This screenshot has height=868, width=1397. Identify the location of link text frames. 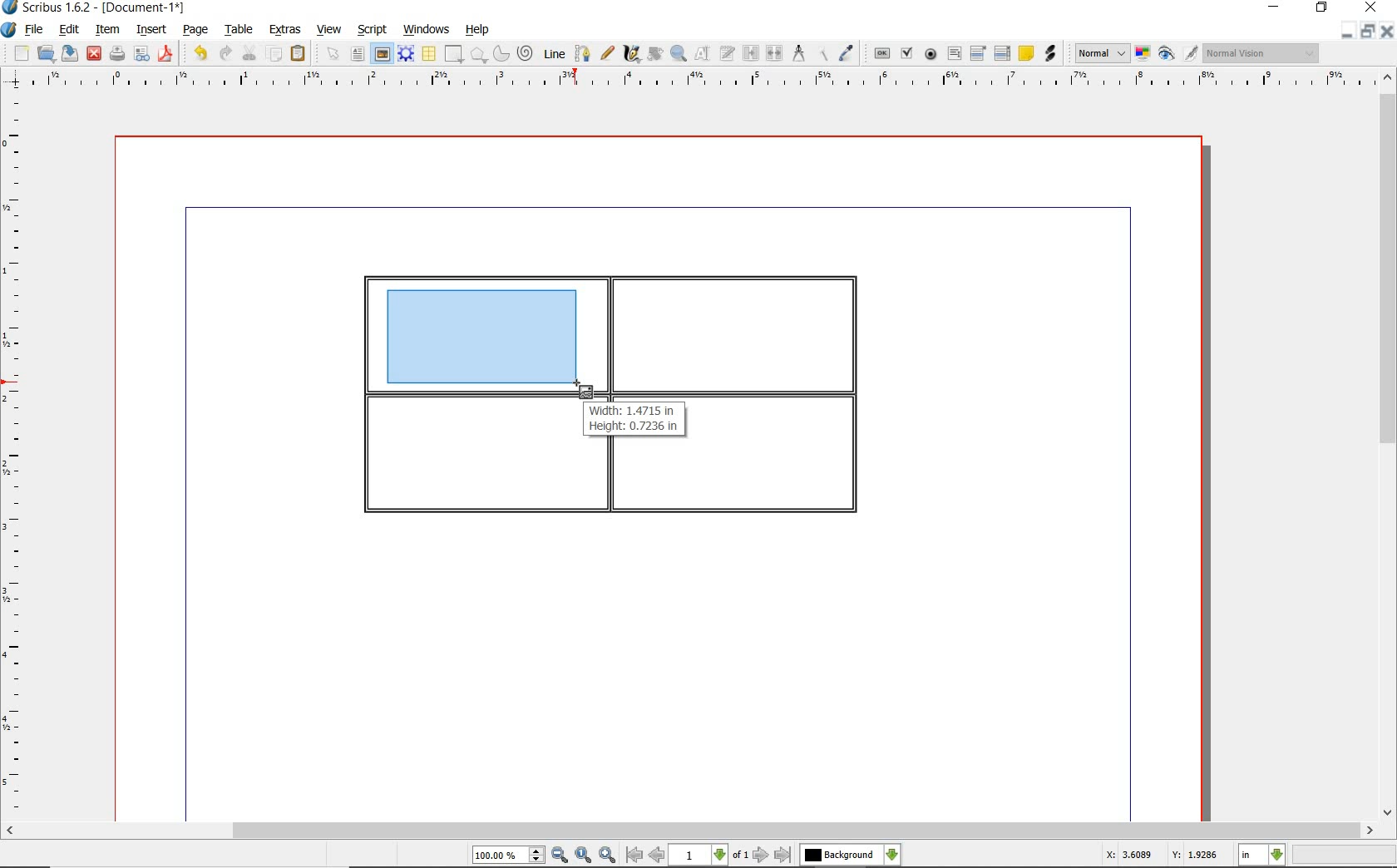
(752, 53).